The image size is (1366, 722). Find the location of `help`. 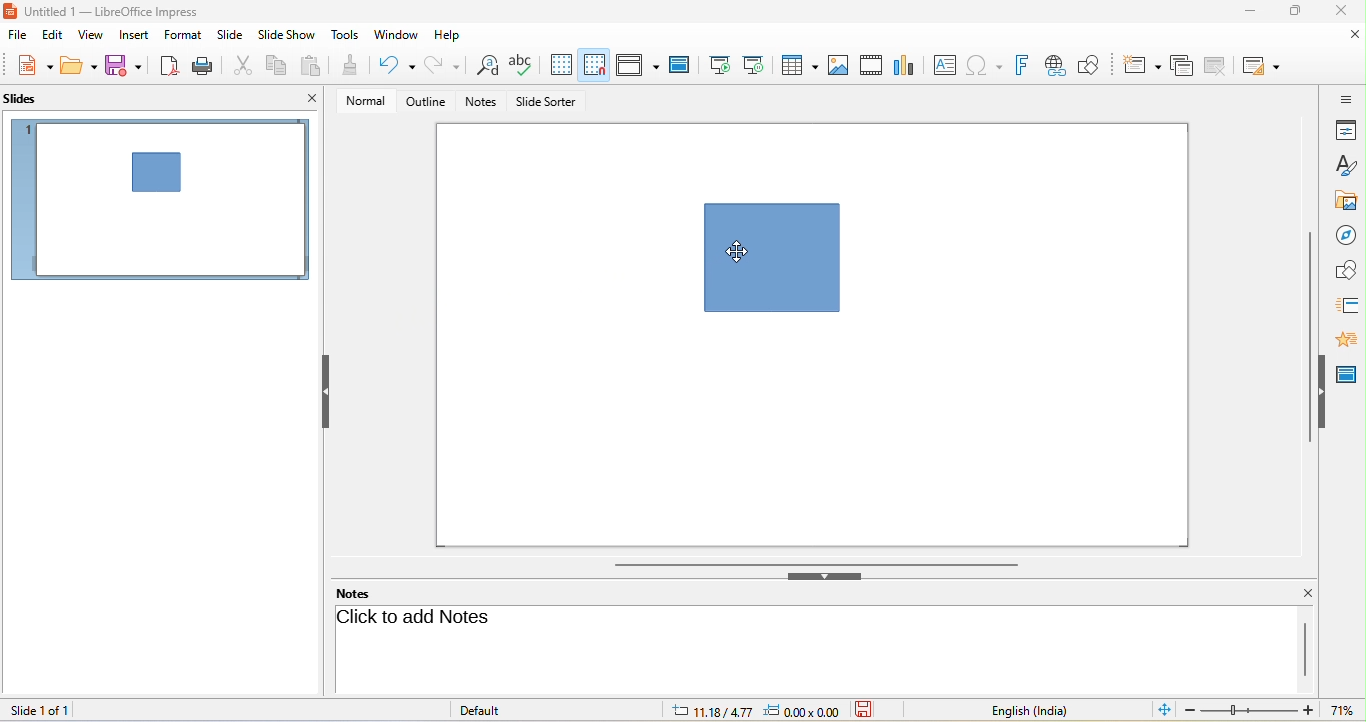

help is located at coordinates (455, 36).